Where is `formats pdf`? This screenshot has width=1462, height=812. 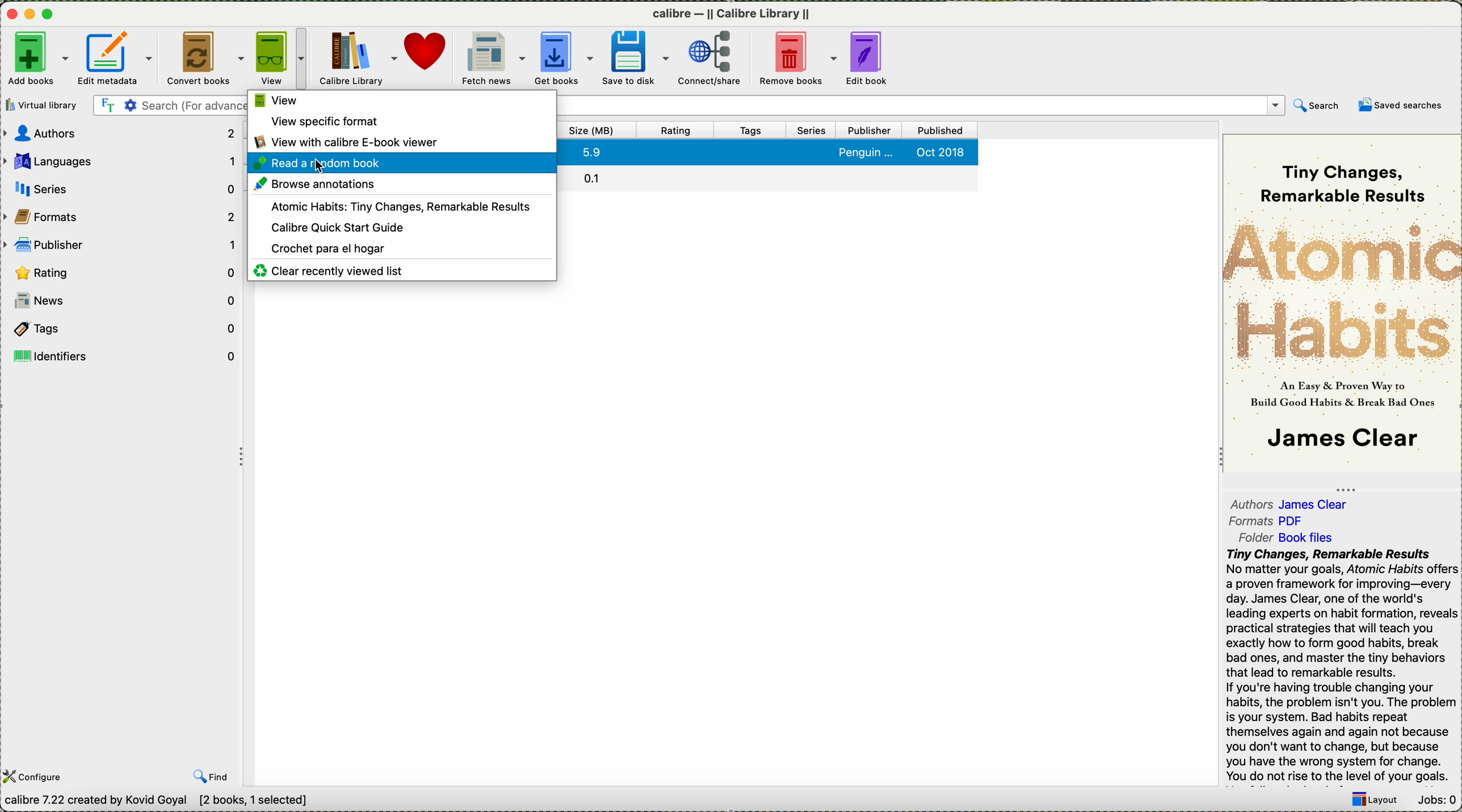 formats pdf is located at coordinates (1269, 520).